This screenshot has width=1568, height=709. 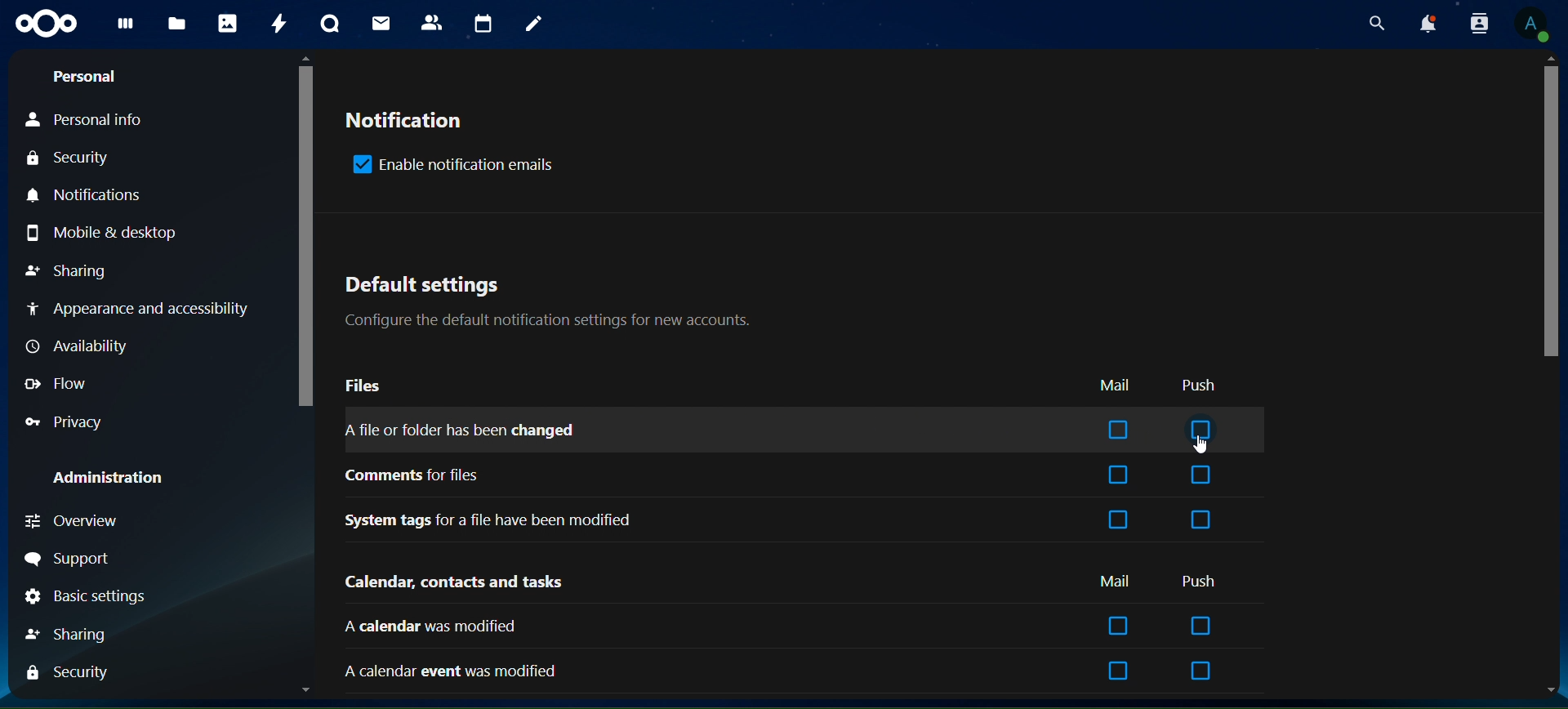 What do you see at coordinates (1530, 25) in the screenshot?
I see `view profile` at bounding box center [1530, 25].